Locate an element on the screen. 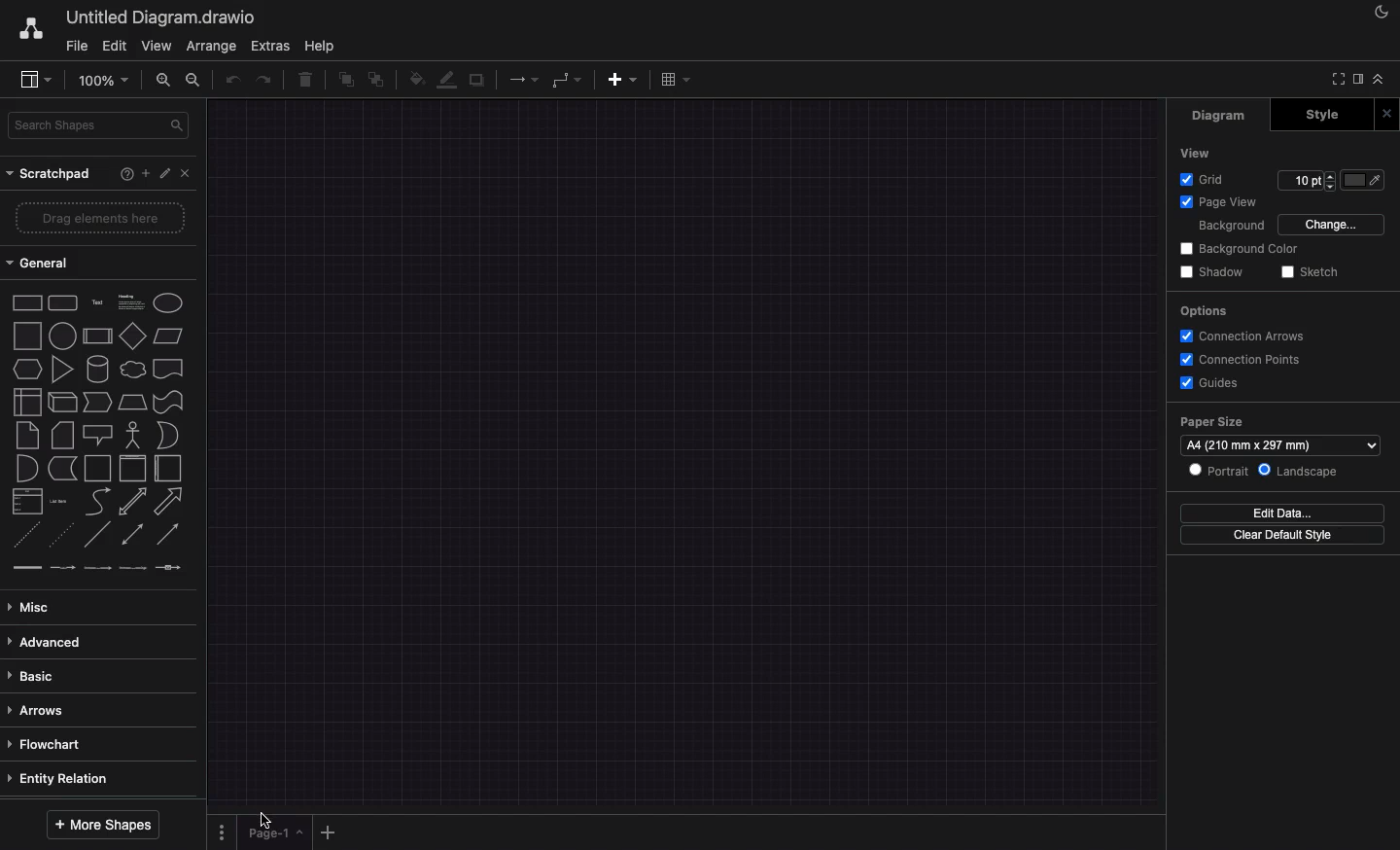  data storage is located at coordinates (64, 470).